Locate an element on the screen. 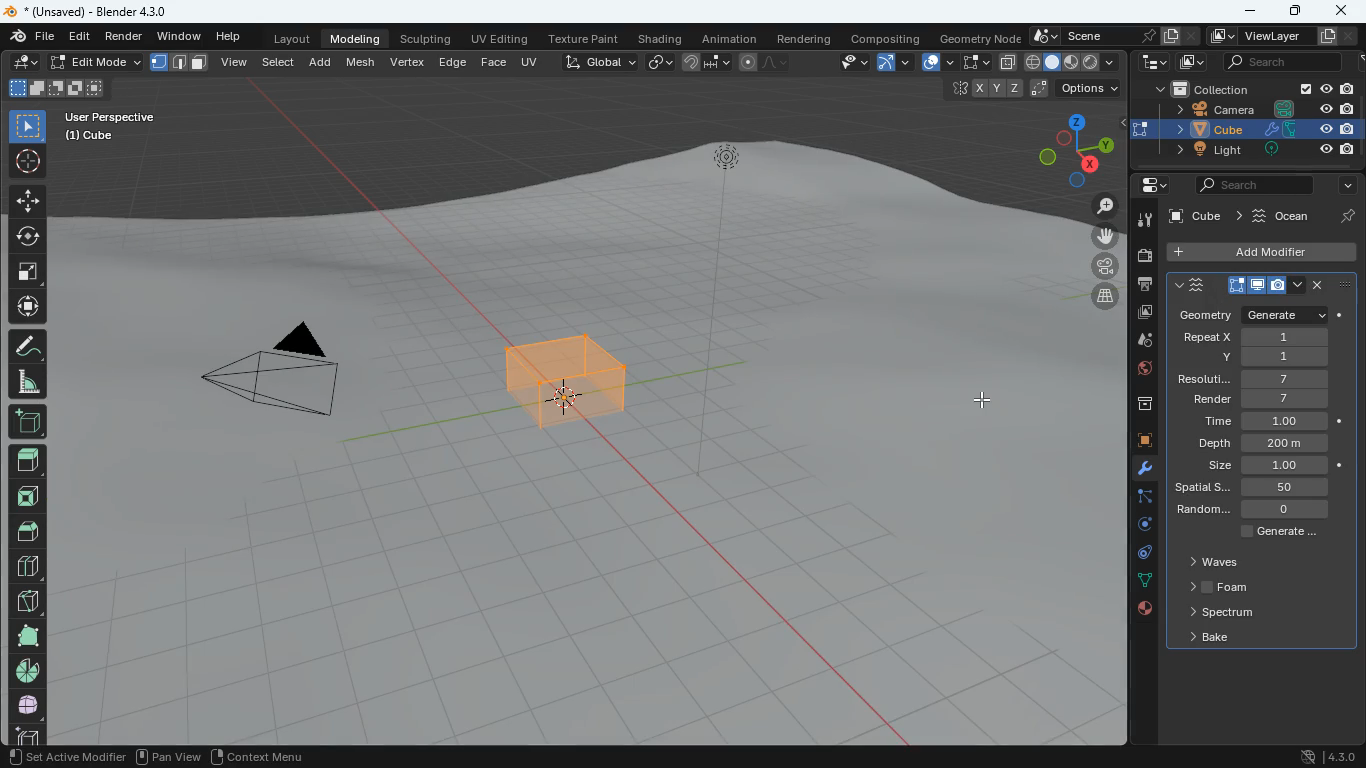 This screenshot has width=1366, height=768. blender is located at coordinates (96, 11).